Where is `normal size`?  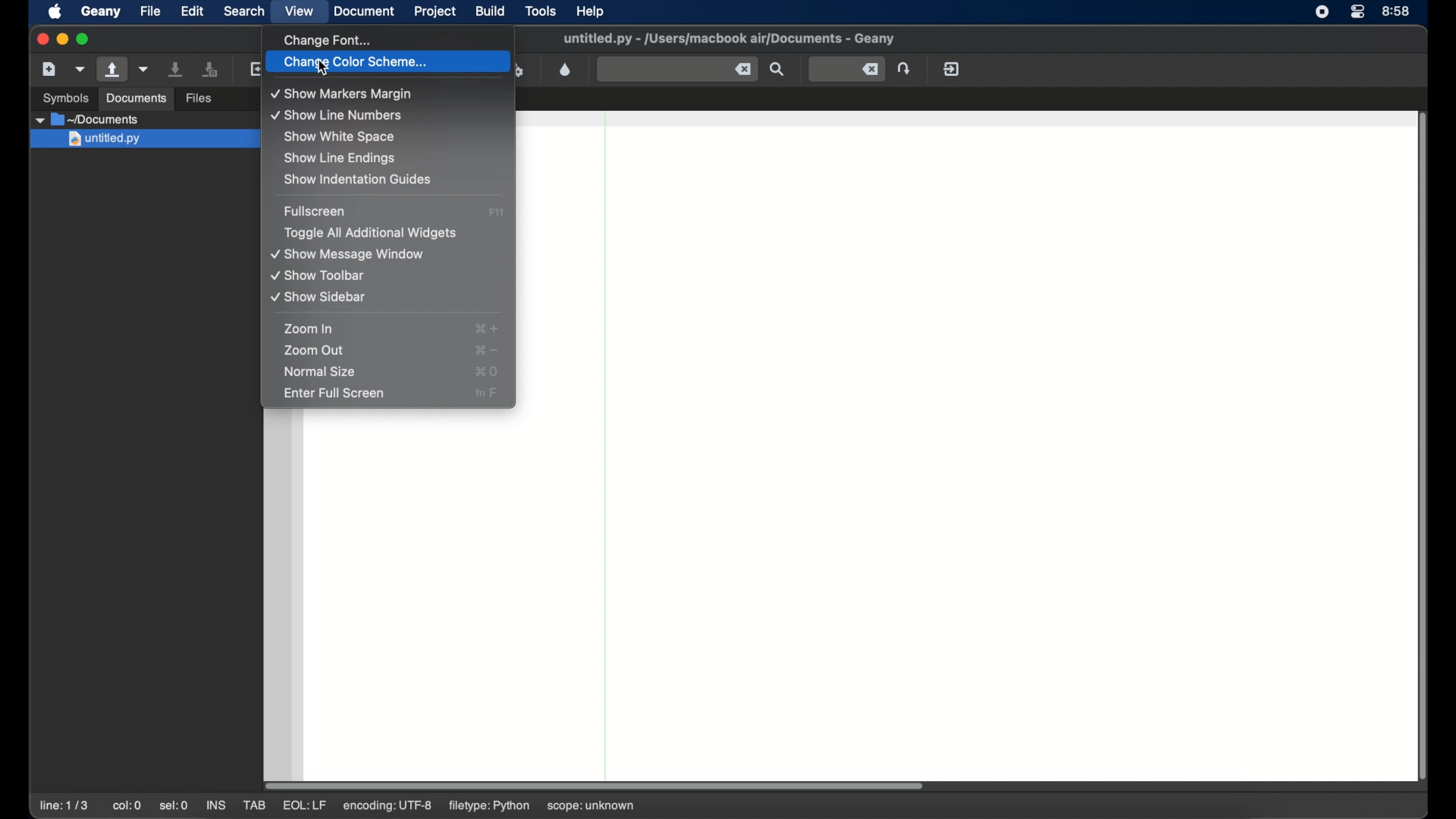 normal size is located at coordinates (320, 372).